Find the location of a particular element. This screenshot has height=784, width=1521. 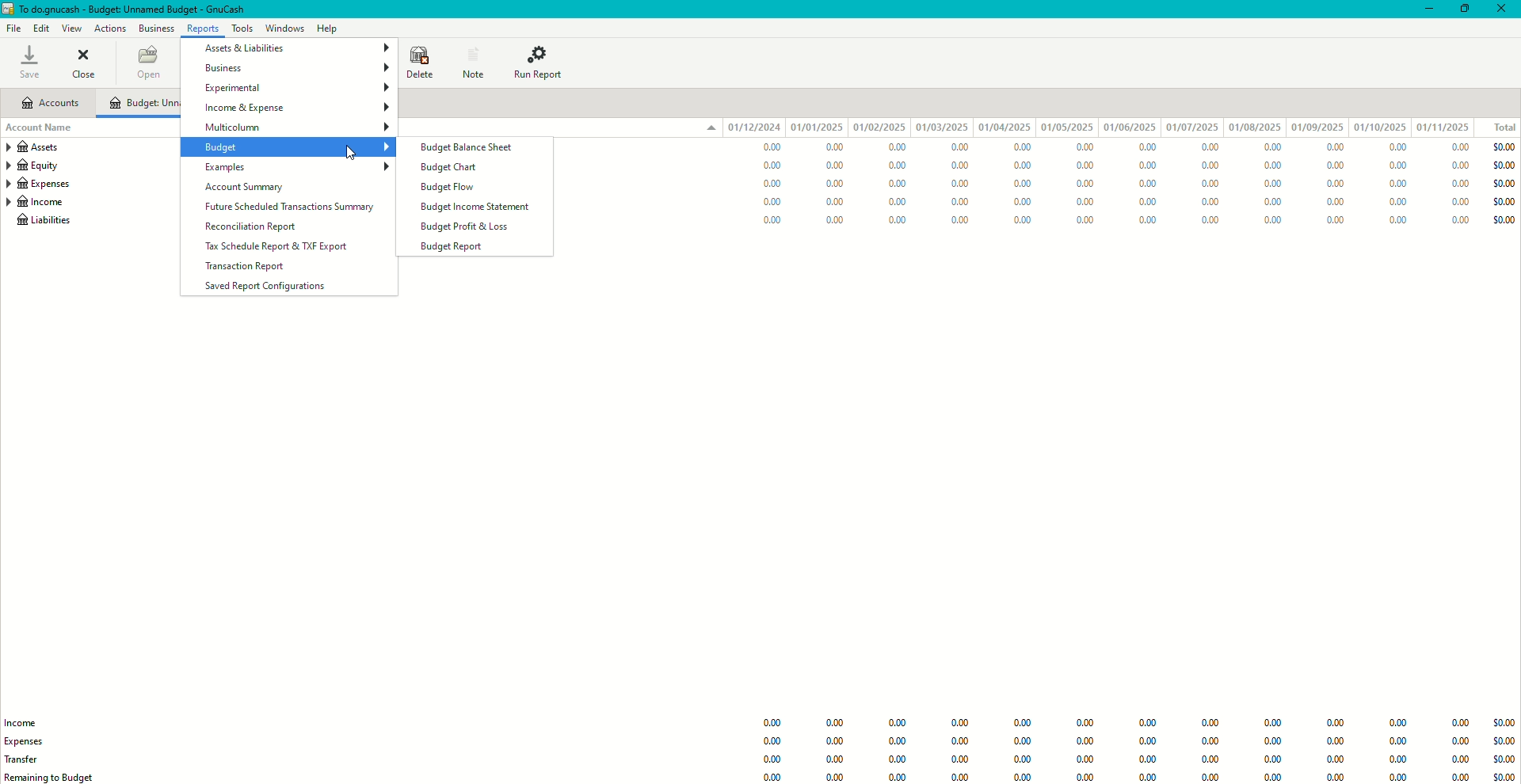

01/03/2025 is located at coordinates (941, 127).